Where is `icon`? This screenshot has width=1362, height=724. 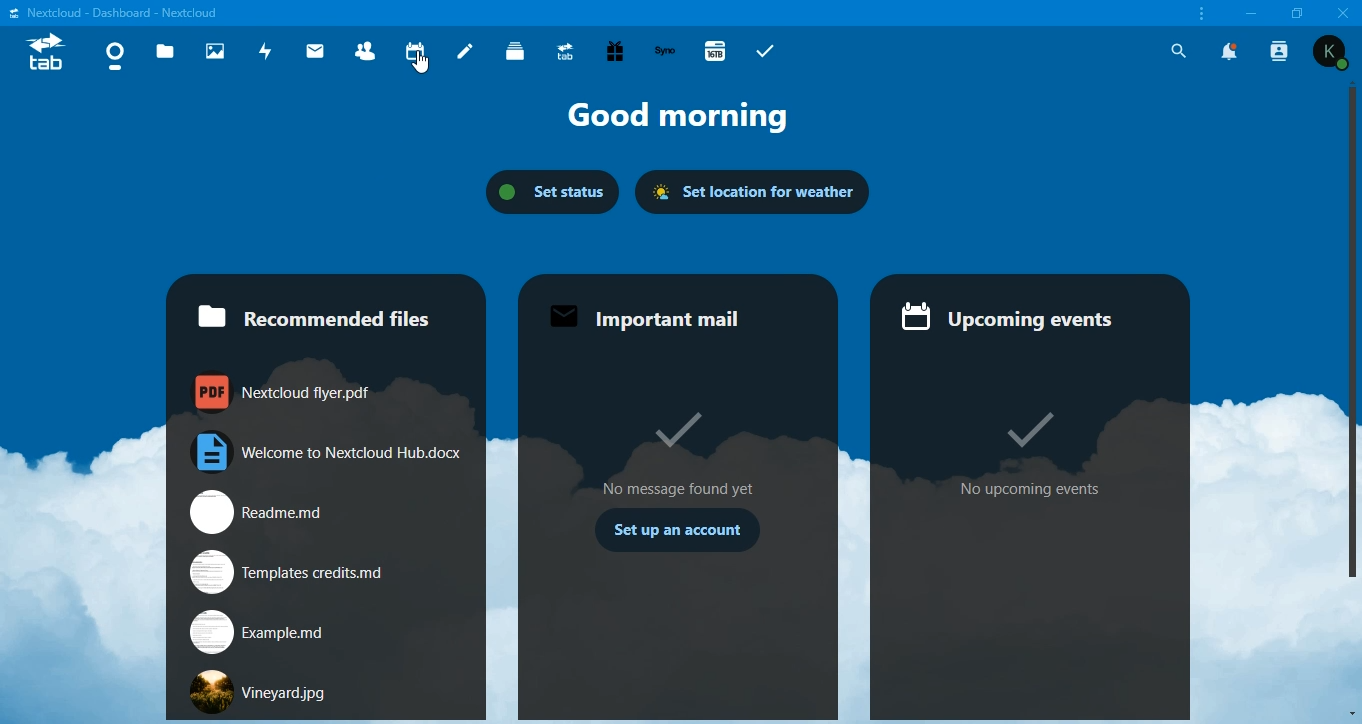 icon is located at coordinates (50, 53).